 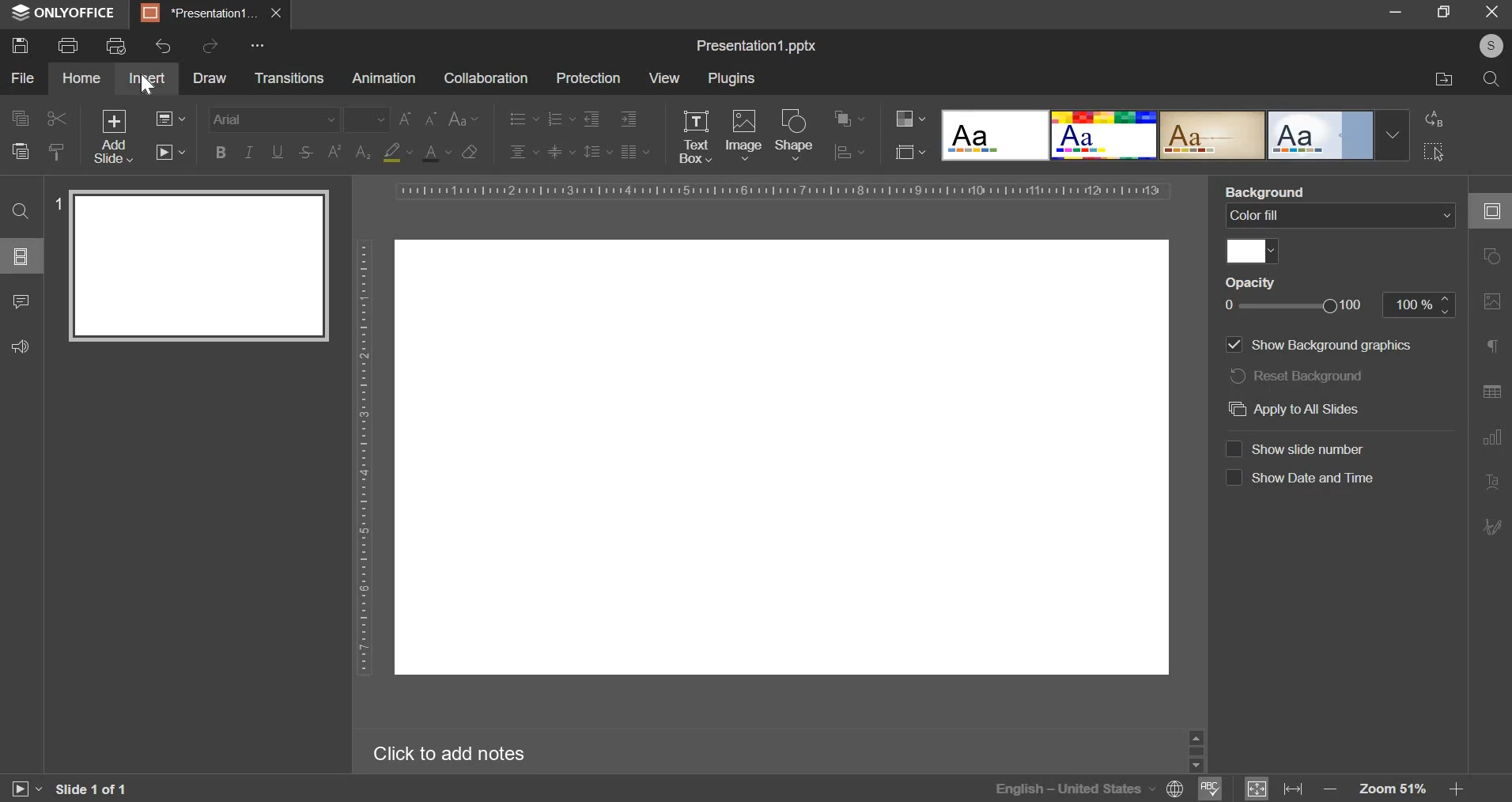 What do you see at coordinates (665, 76) in the screenshot?
I see `view` at bounding box center [665, 76].